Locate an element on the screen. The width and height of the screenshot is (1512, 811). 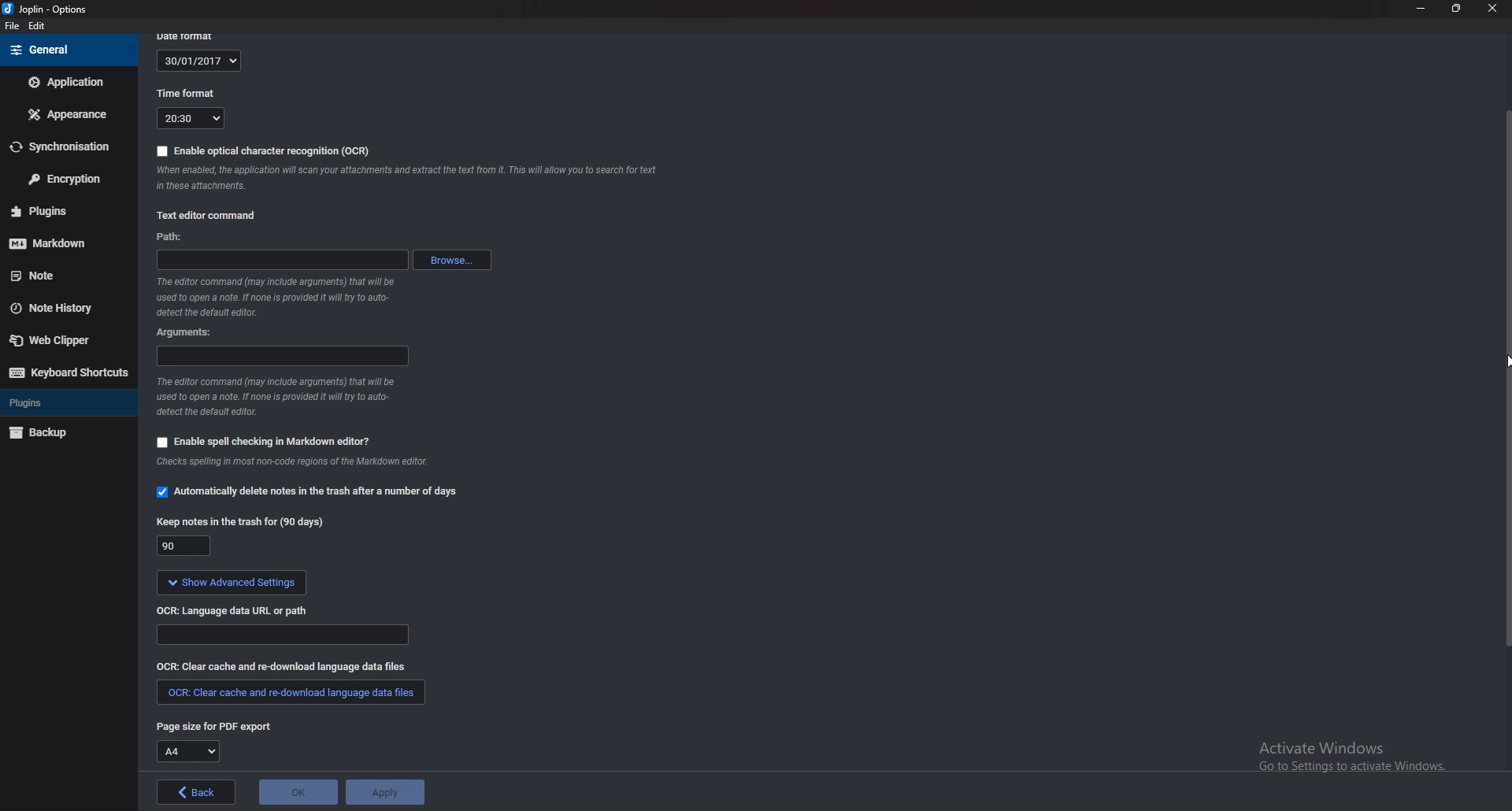
path is located at coordinates (176, 238).